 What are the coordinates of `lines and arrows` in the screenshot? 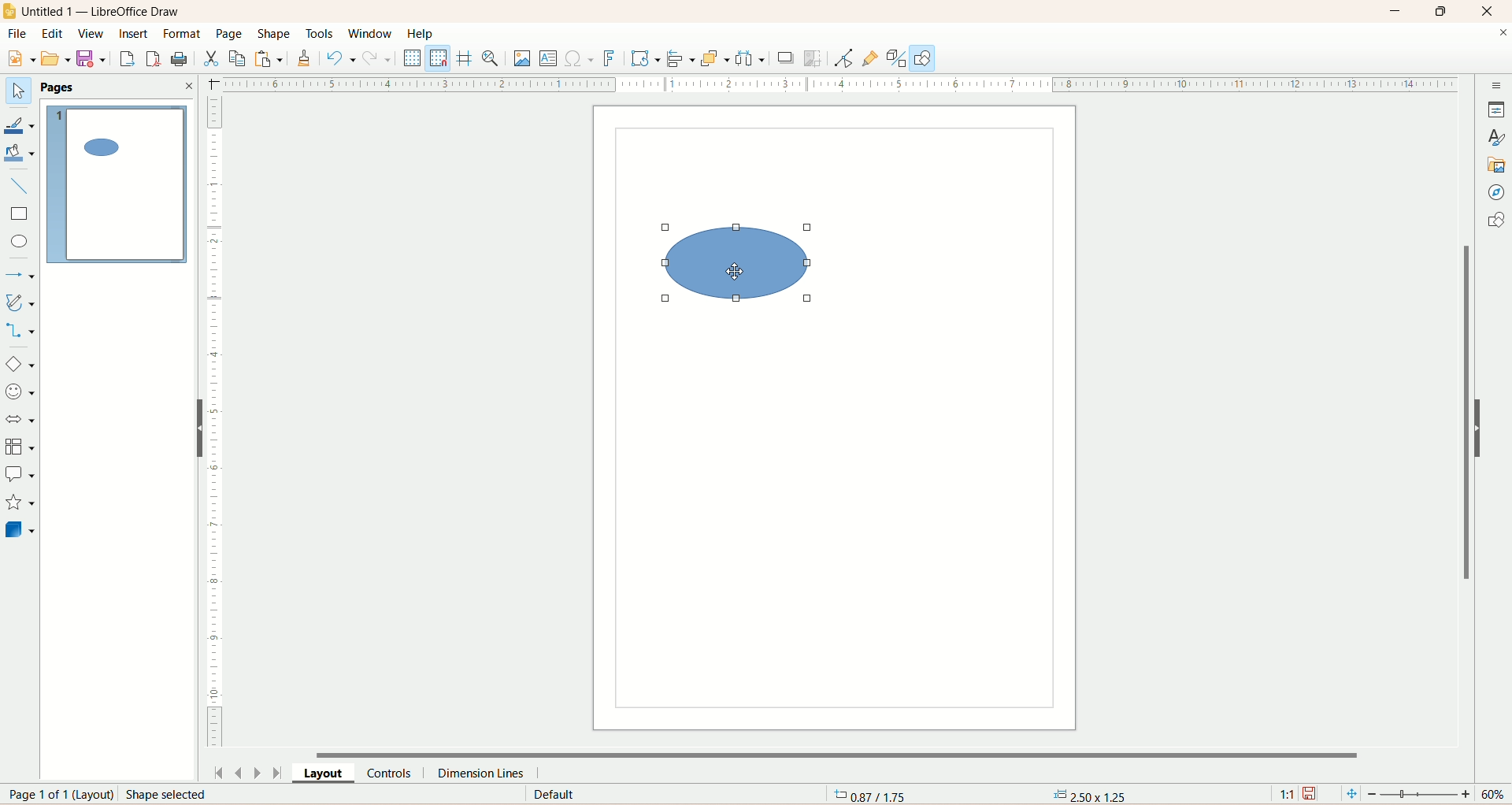 It's located at (20, 275).